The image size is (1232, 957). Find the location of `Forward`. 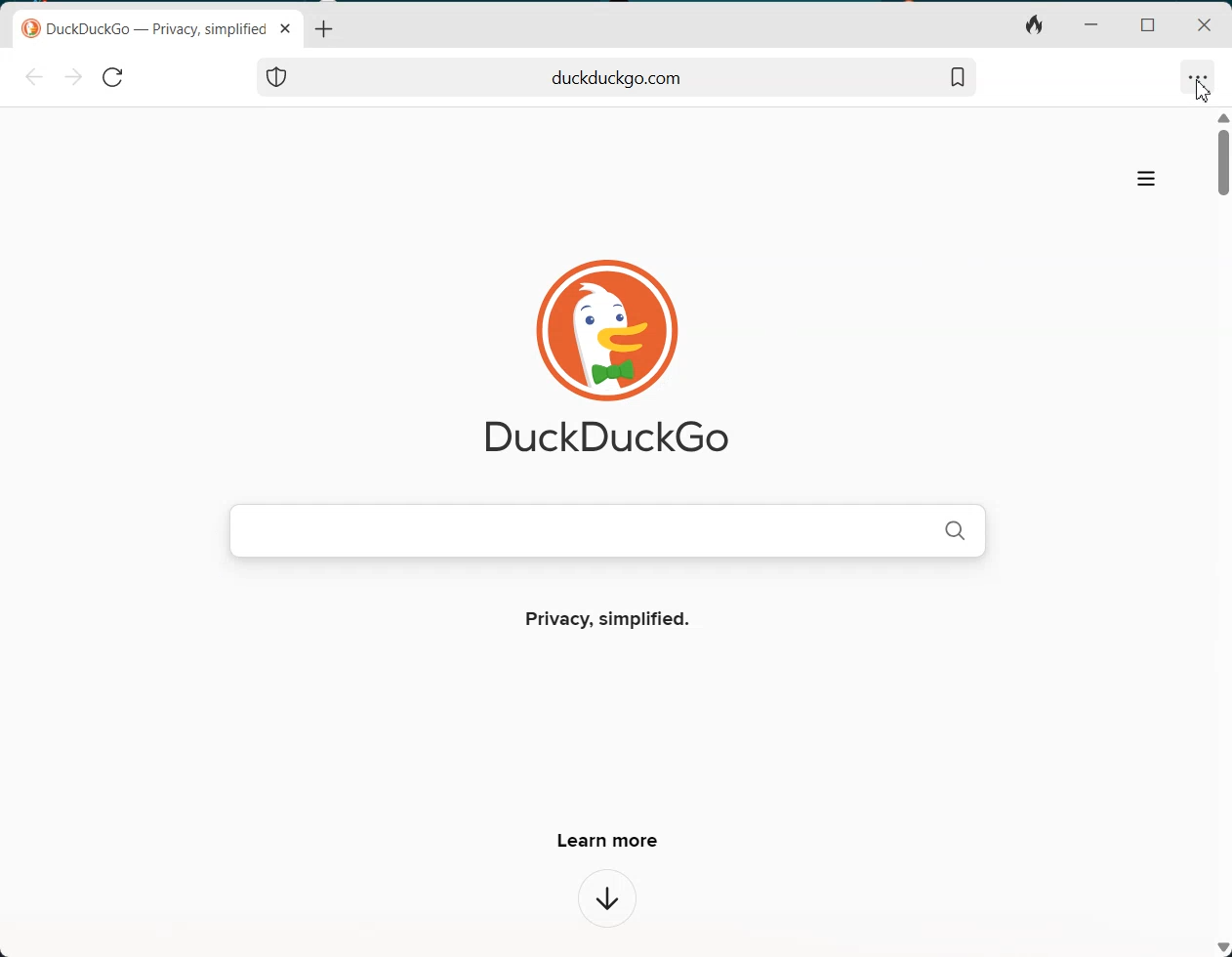

Forward is located at coordinates (72, 78).